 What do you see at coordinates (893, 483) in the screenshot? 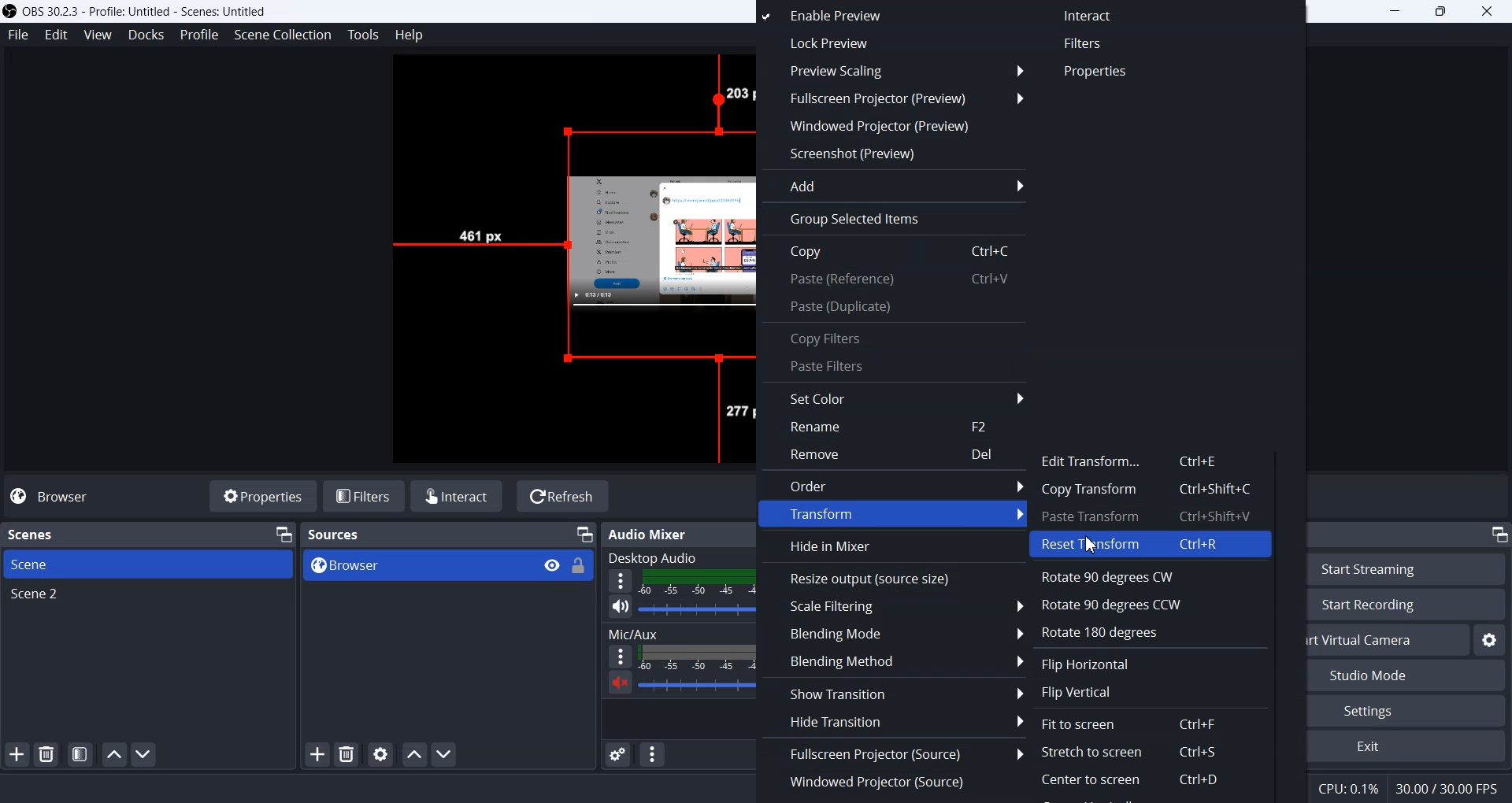
I see `Order` at bounding box center [893, 483].